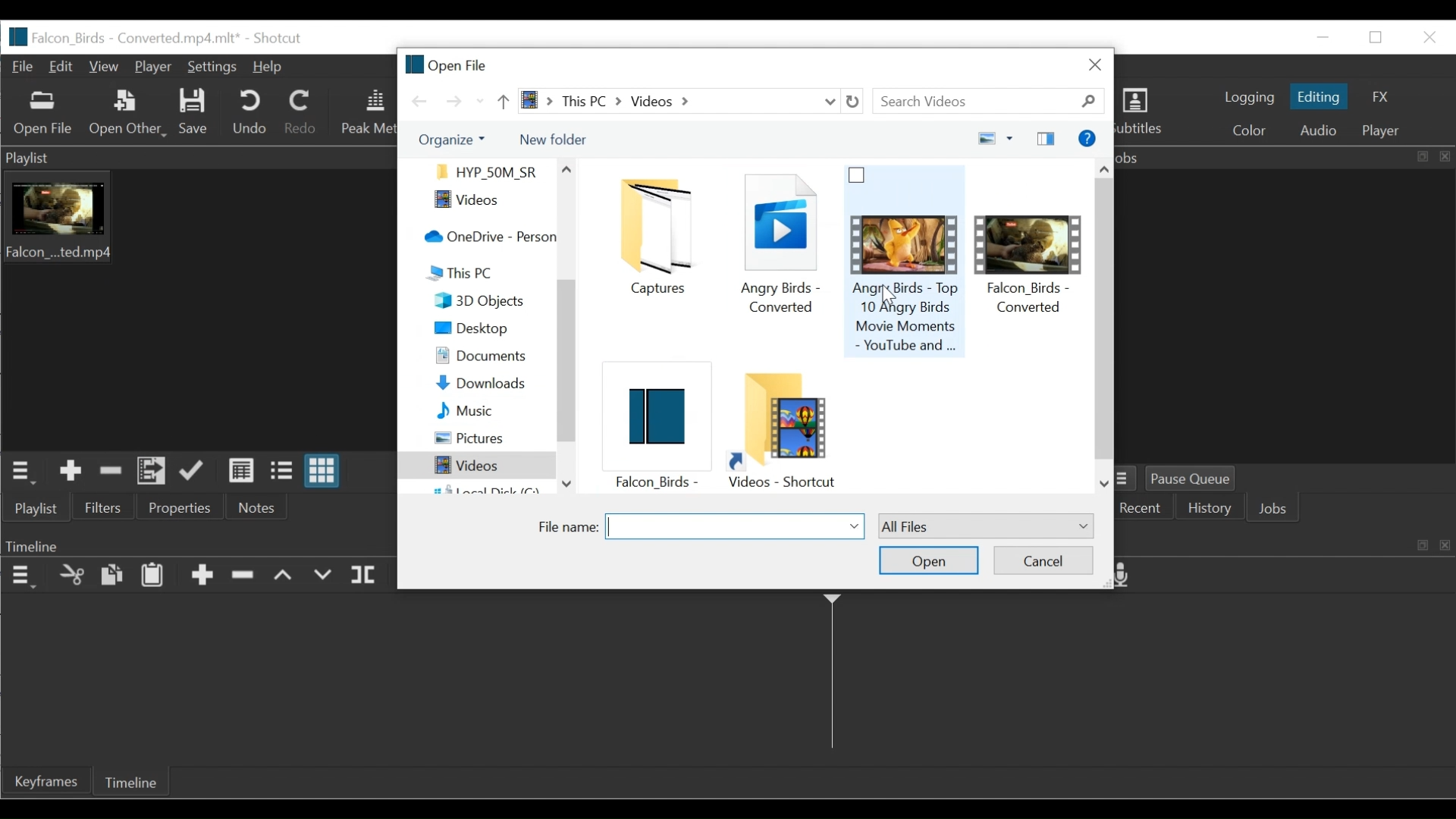 This screenshot has width=1456, height=819. I want to click on Editing, so click(1319, 96).